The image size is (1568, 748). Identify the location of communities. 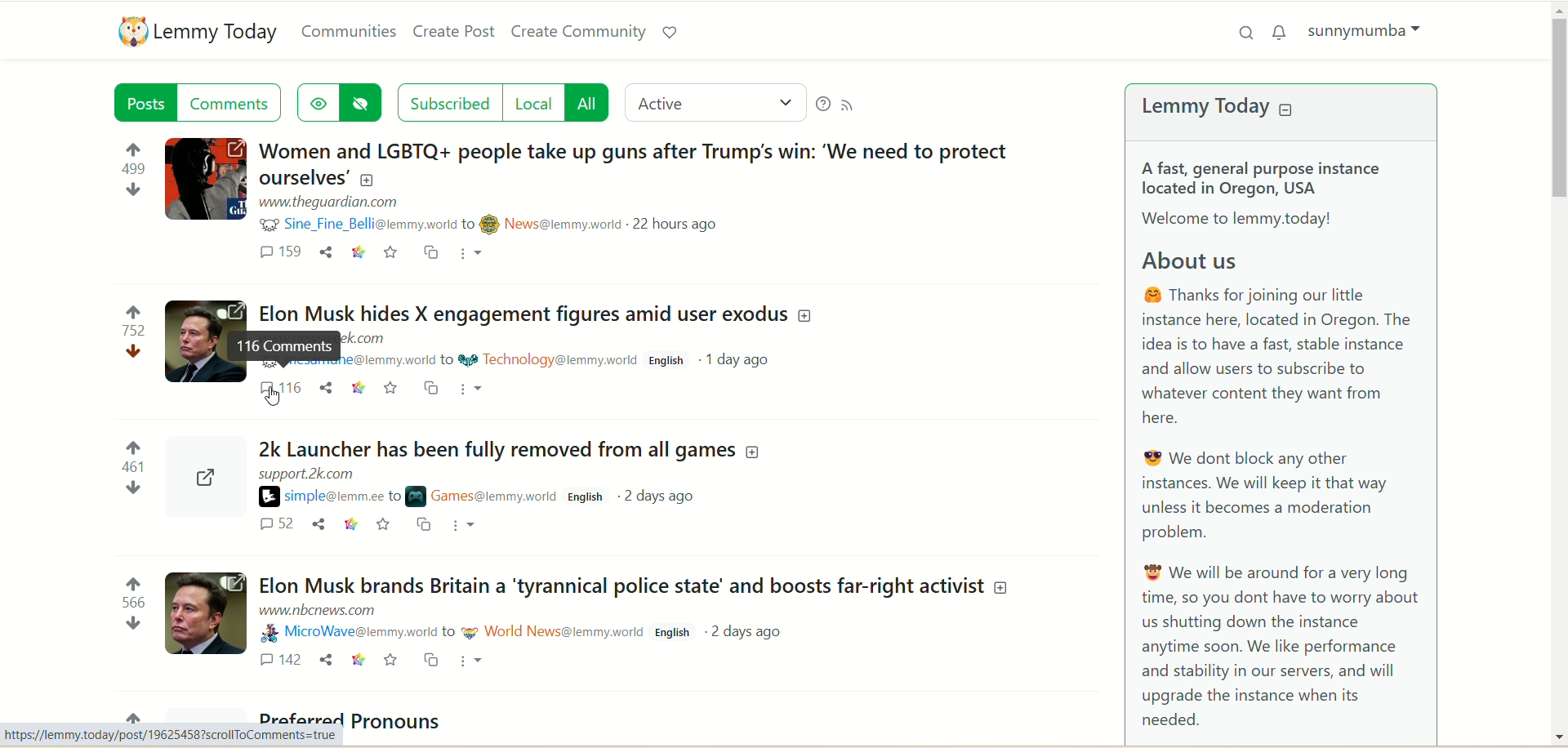
(347, 32).